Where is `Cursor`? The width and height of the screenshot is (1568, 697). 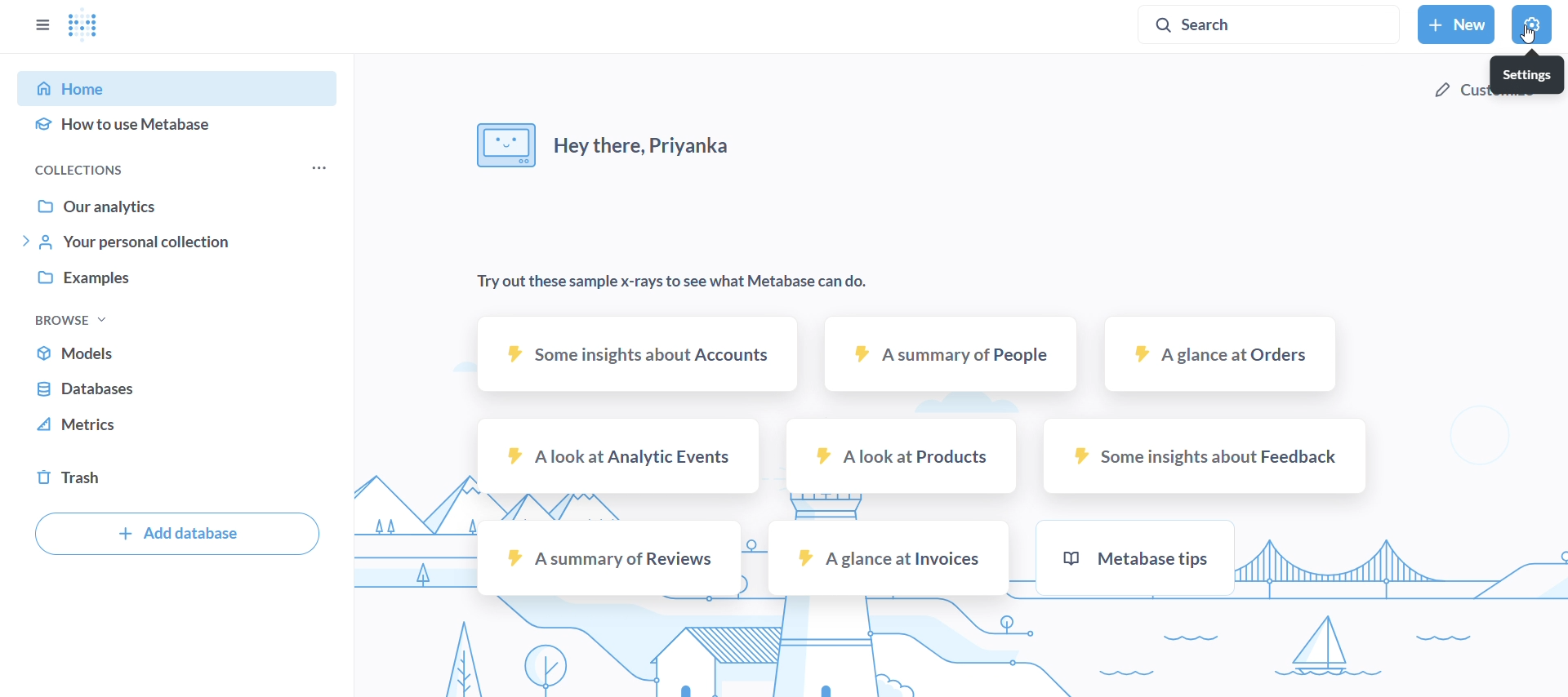
Cursor is located at coordinates (1529, 38).